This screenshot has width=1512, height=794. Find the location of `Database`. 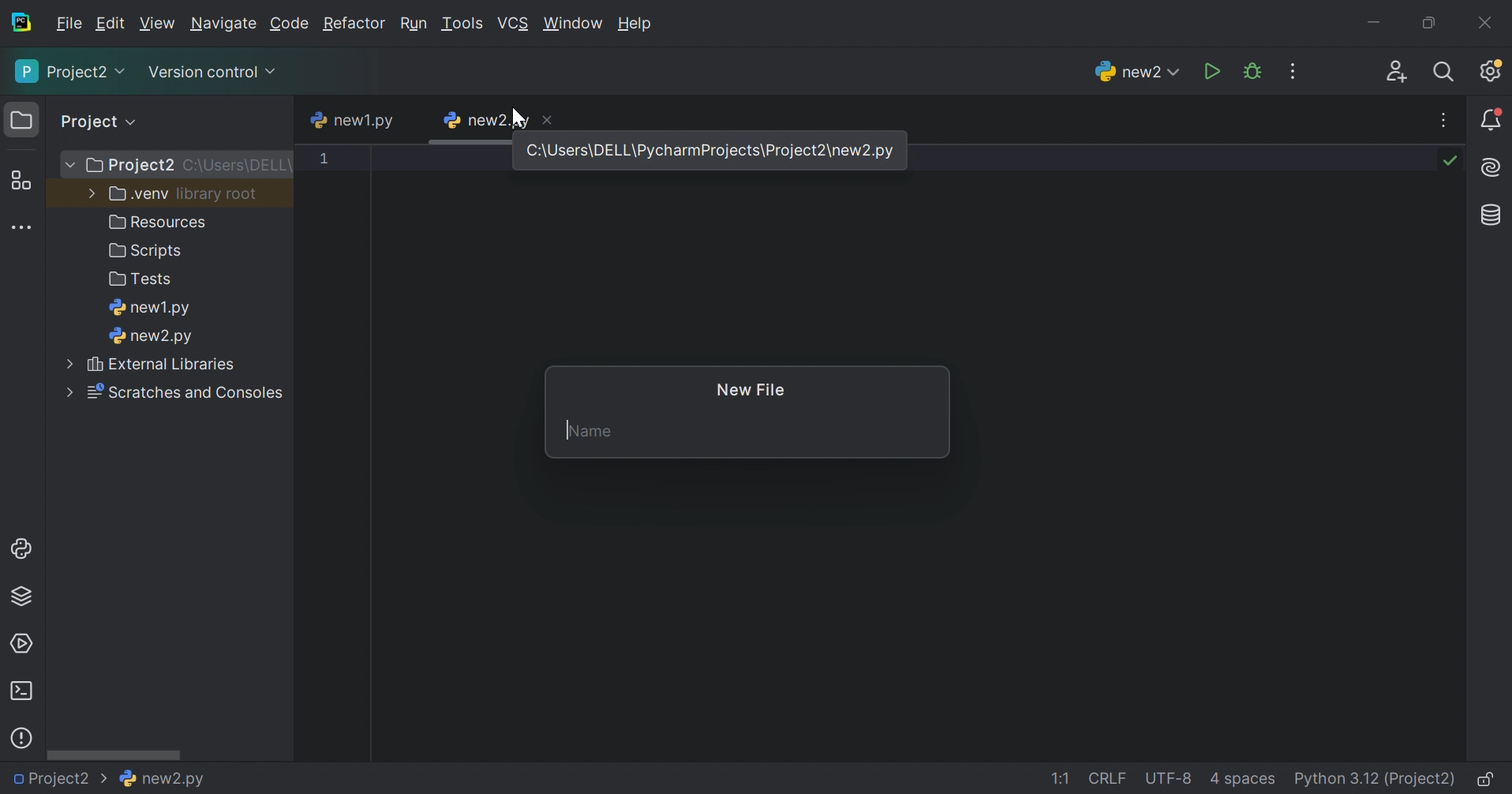

Database is located at coordinates (1488, 215).